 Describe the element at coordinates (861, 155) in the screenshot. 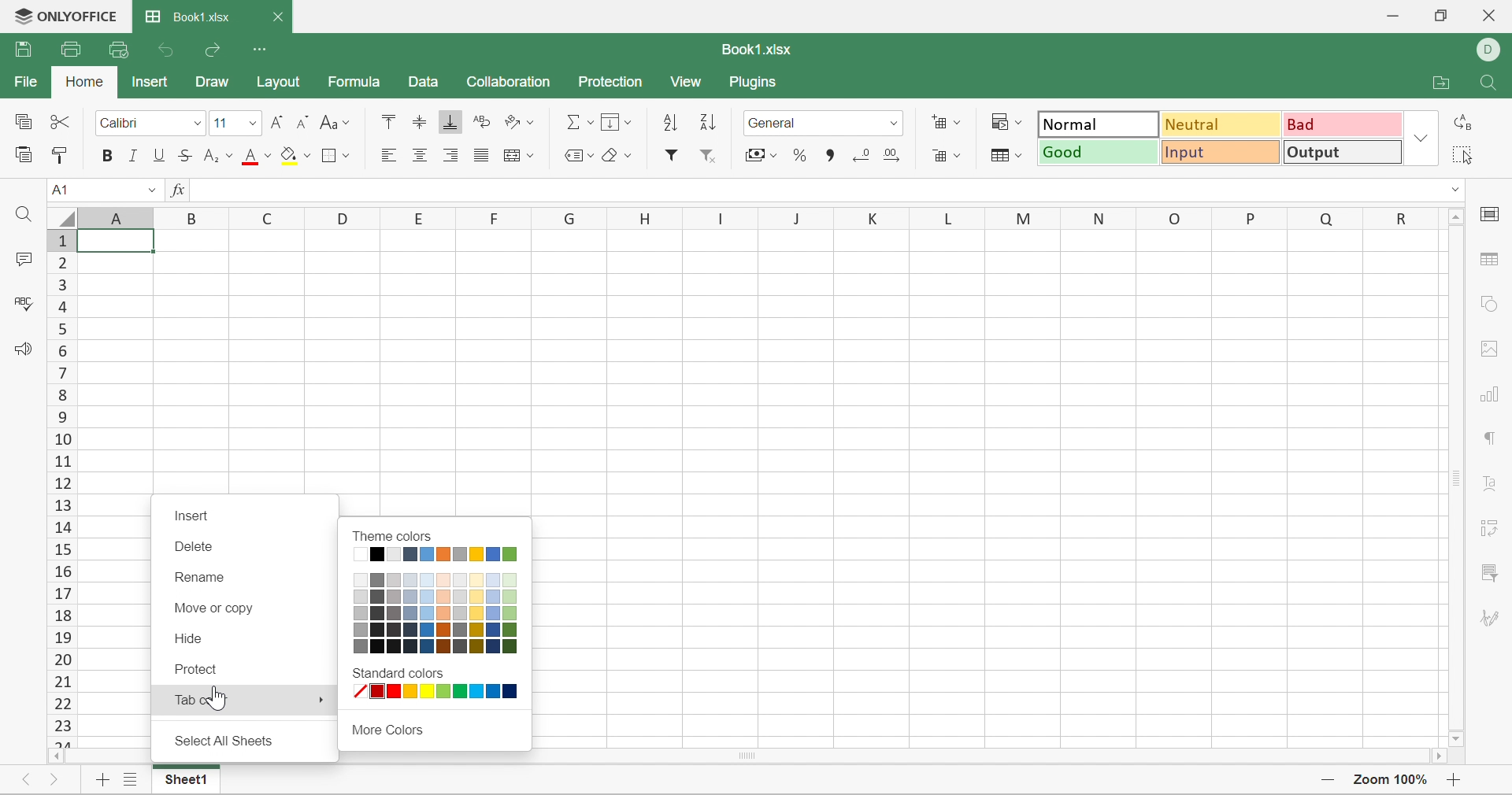

I see `Decrease decimal` at that location.